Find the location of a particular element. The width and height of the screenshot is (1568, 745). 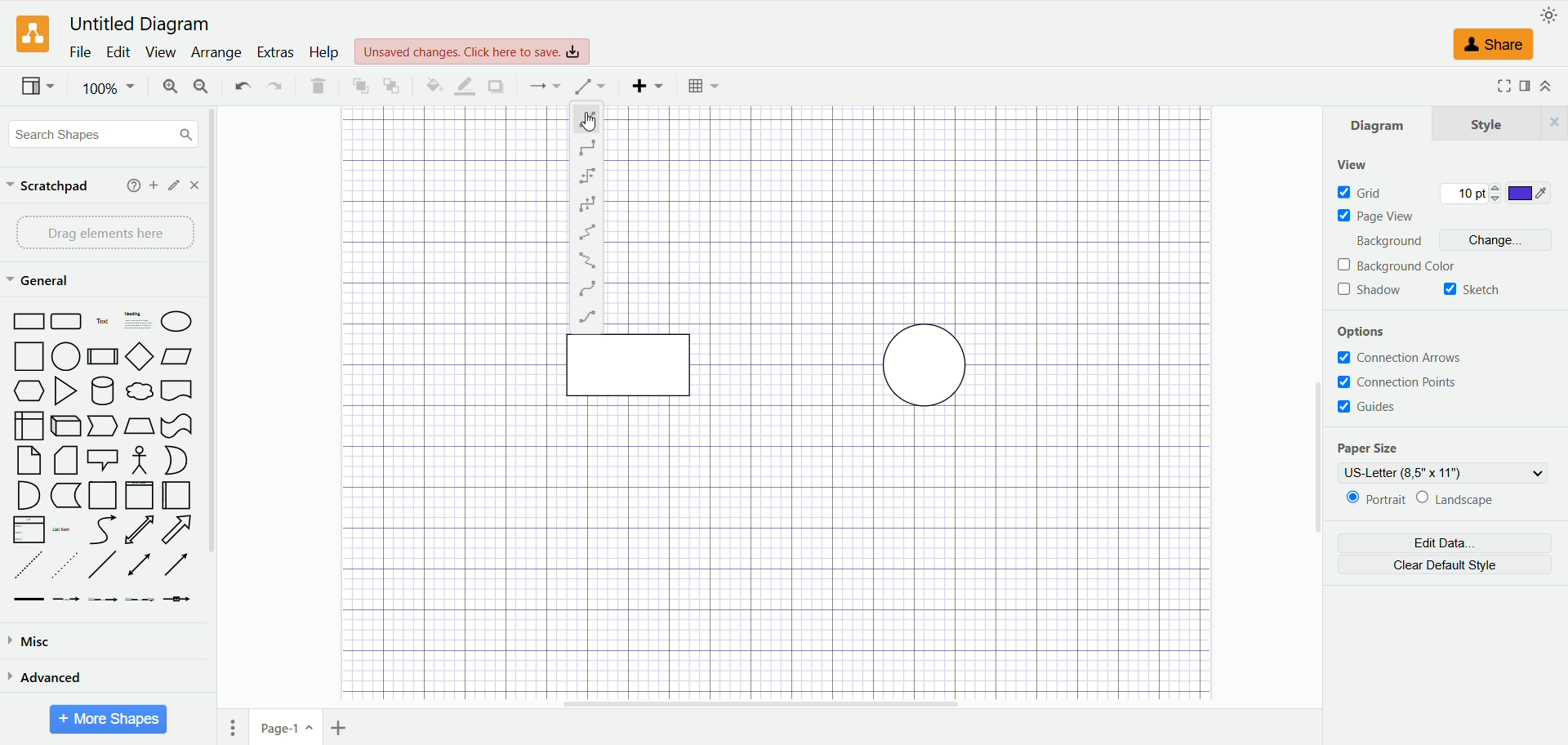

Two way Arrow is located at coordinates (141, 530).